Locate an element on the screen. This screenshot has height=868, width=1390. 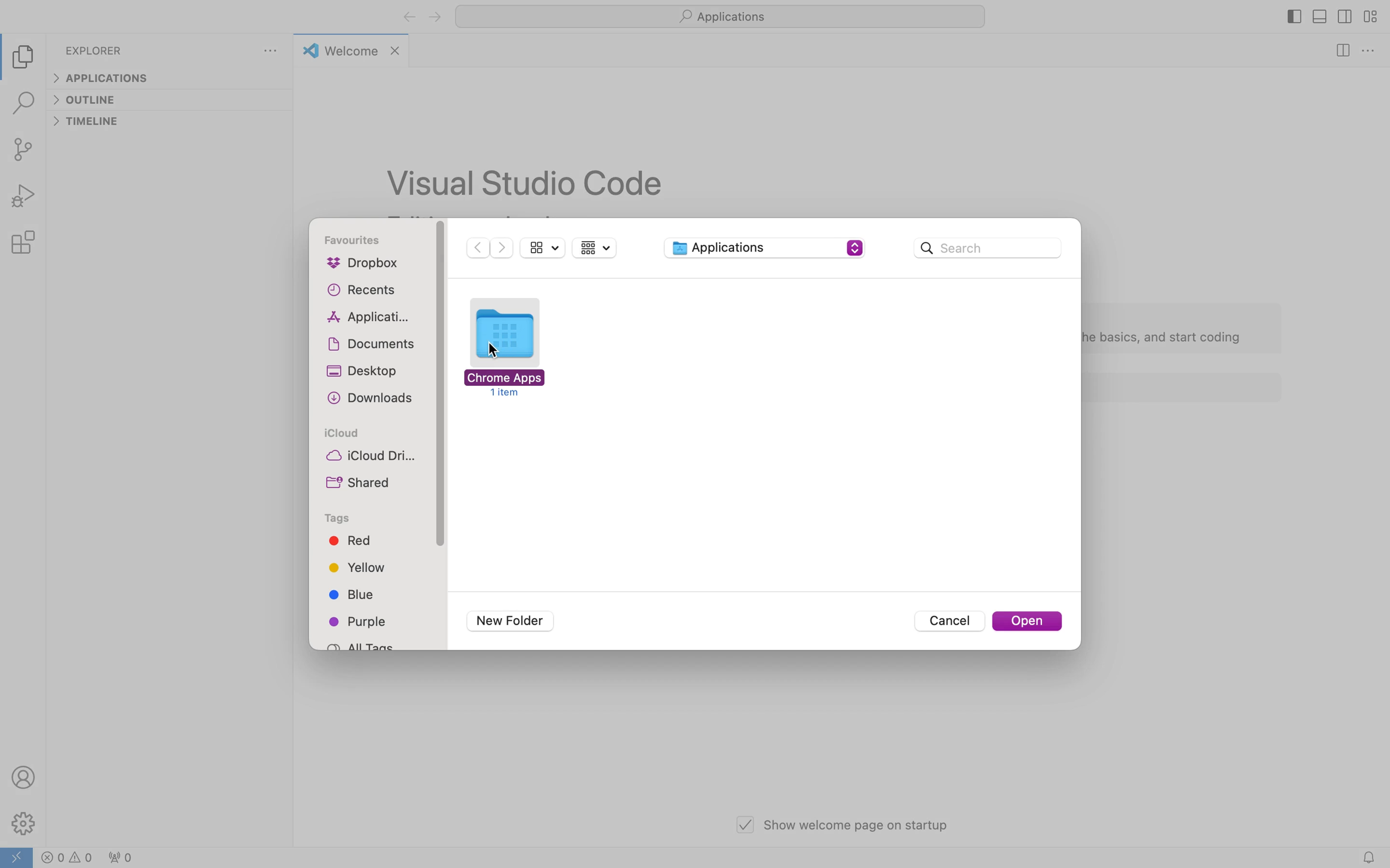
customise layout is located at coordinates (1369, 18).